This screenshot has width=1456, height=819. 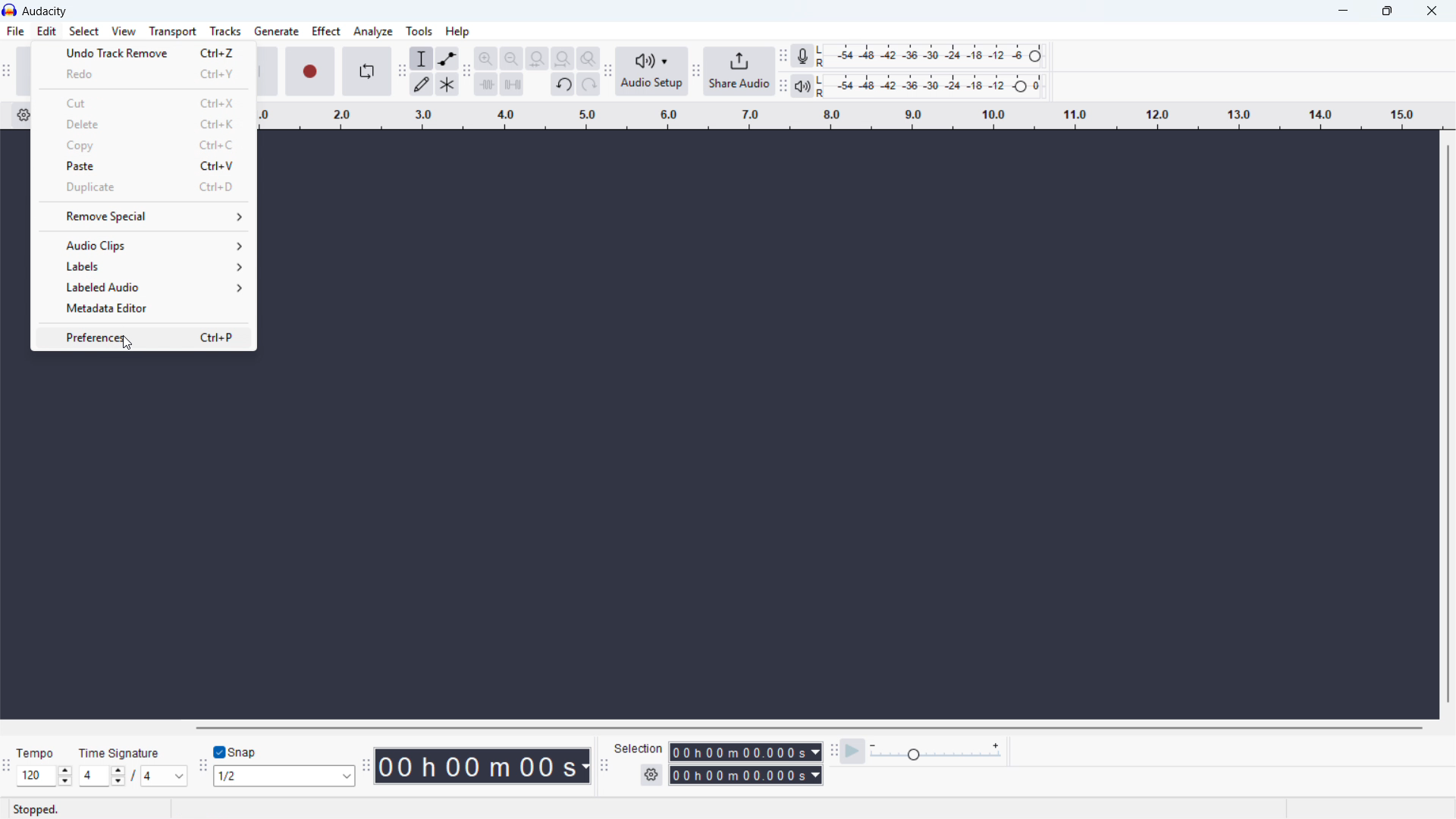 I want to click on tools, so click(x=419, y=31).